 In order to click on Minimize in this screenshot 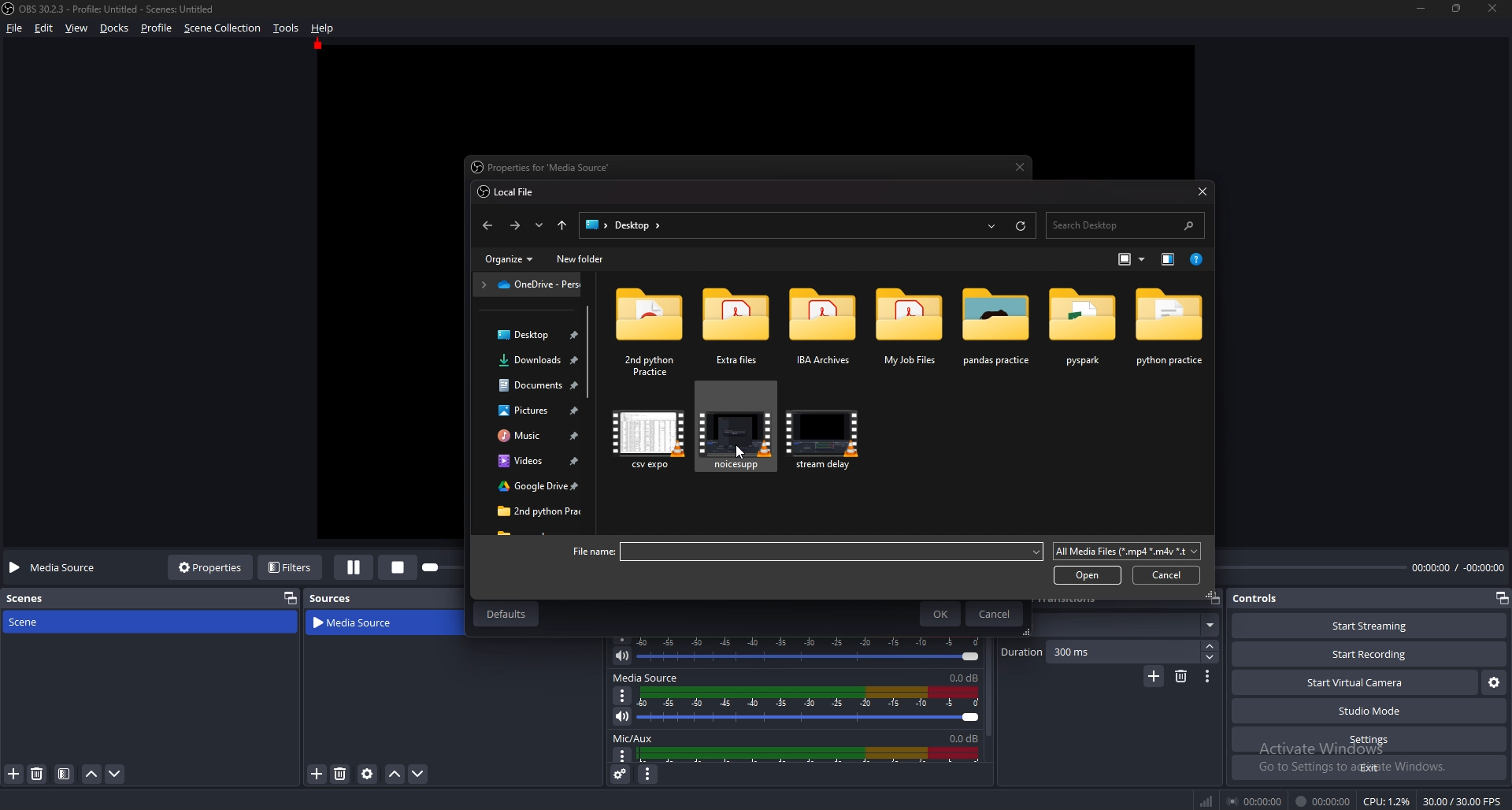, I will do `click(1420, 8)`.